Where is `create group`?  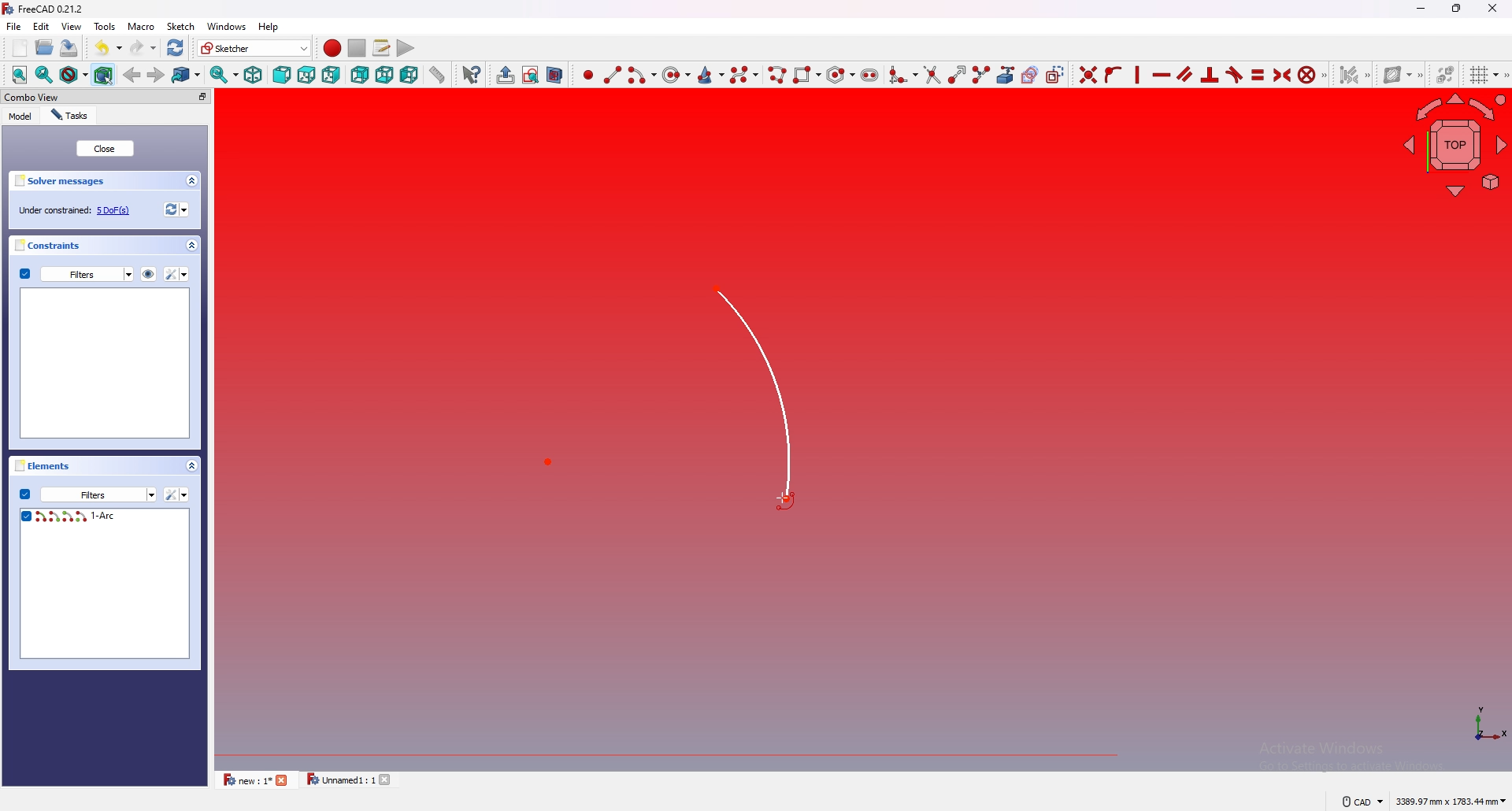
create group is located at coordinates (506, 75).